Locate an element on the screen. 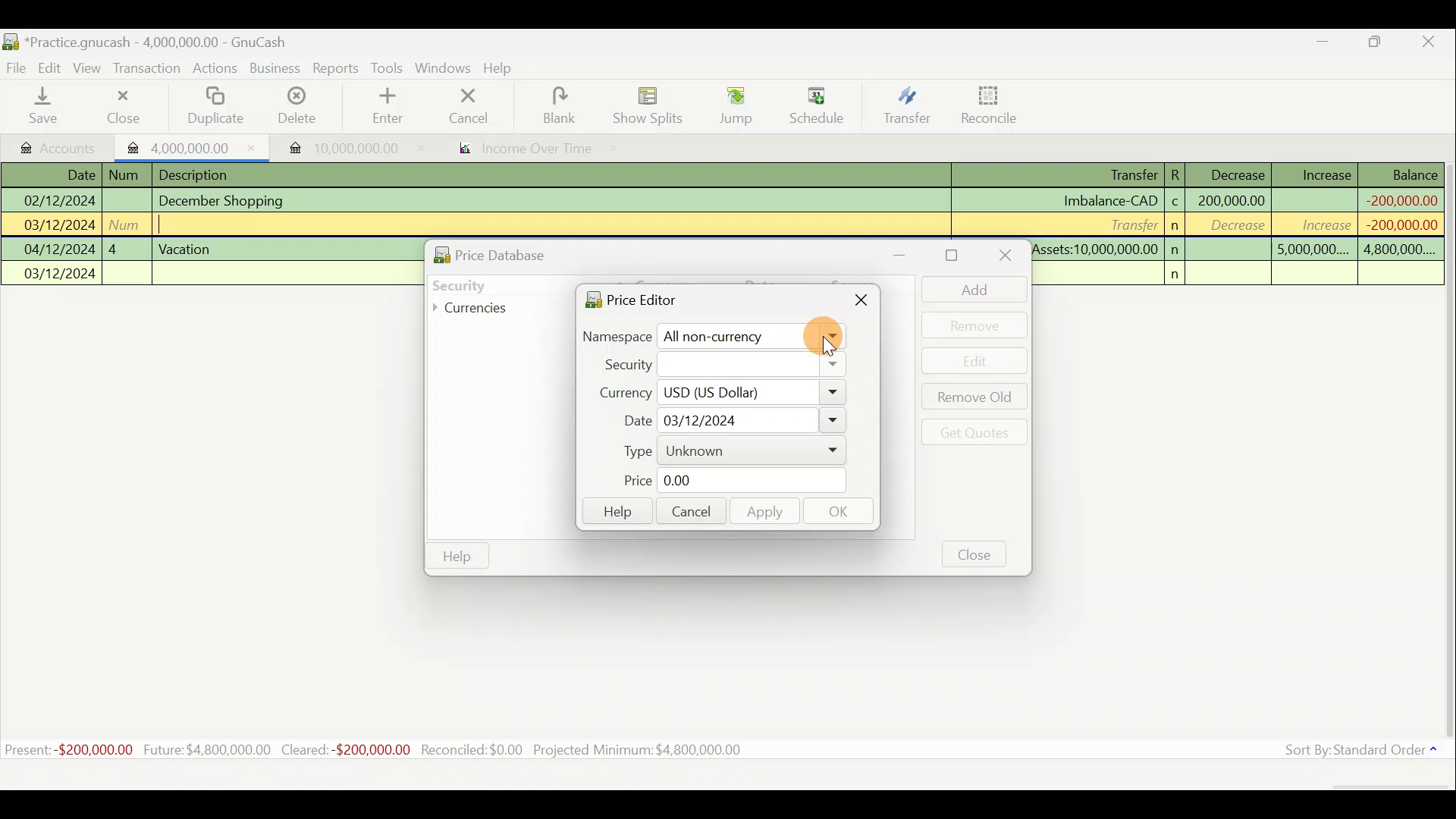  Imported transaction is located at coordinates (186, 146).